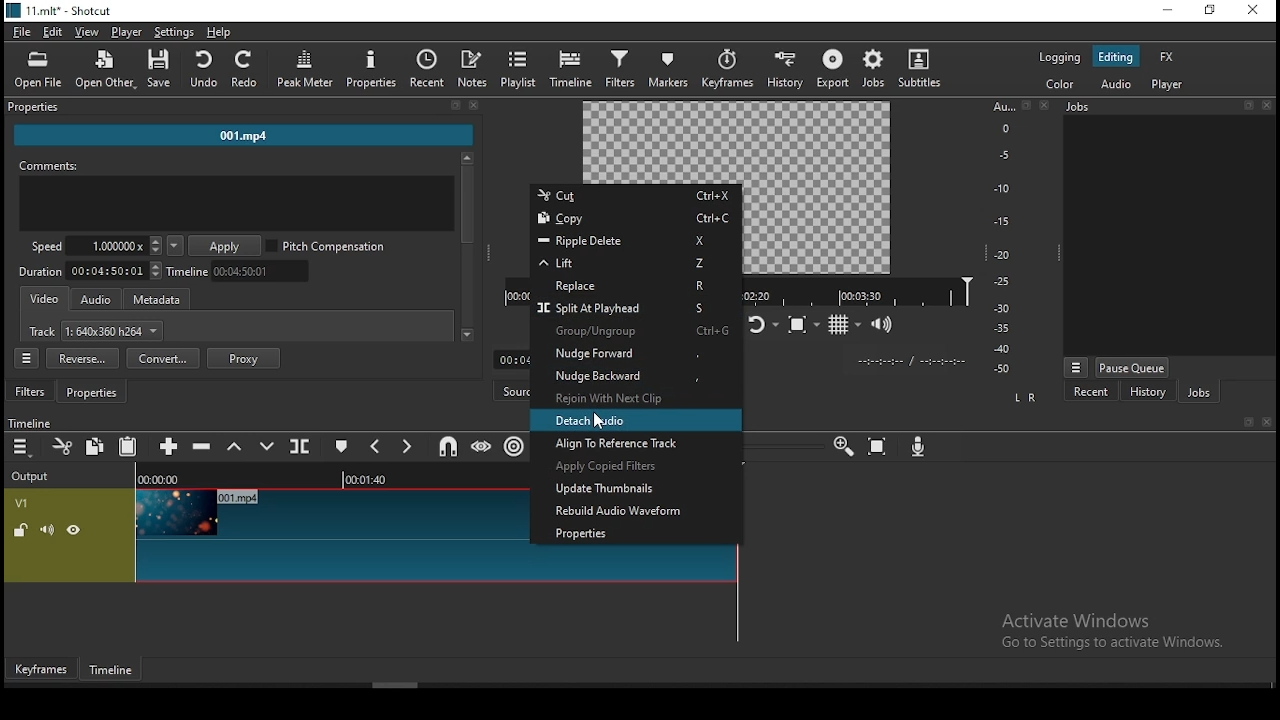 This screenshot has width=1280, height=720. I want to click on export, so click(831, 68).